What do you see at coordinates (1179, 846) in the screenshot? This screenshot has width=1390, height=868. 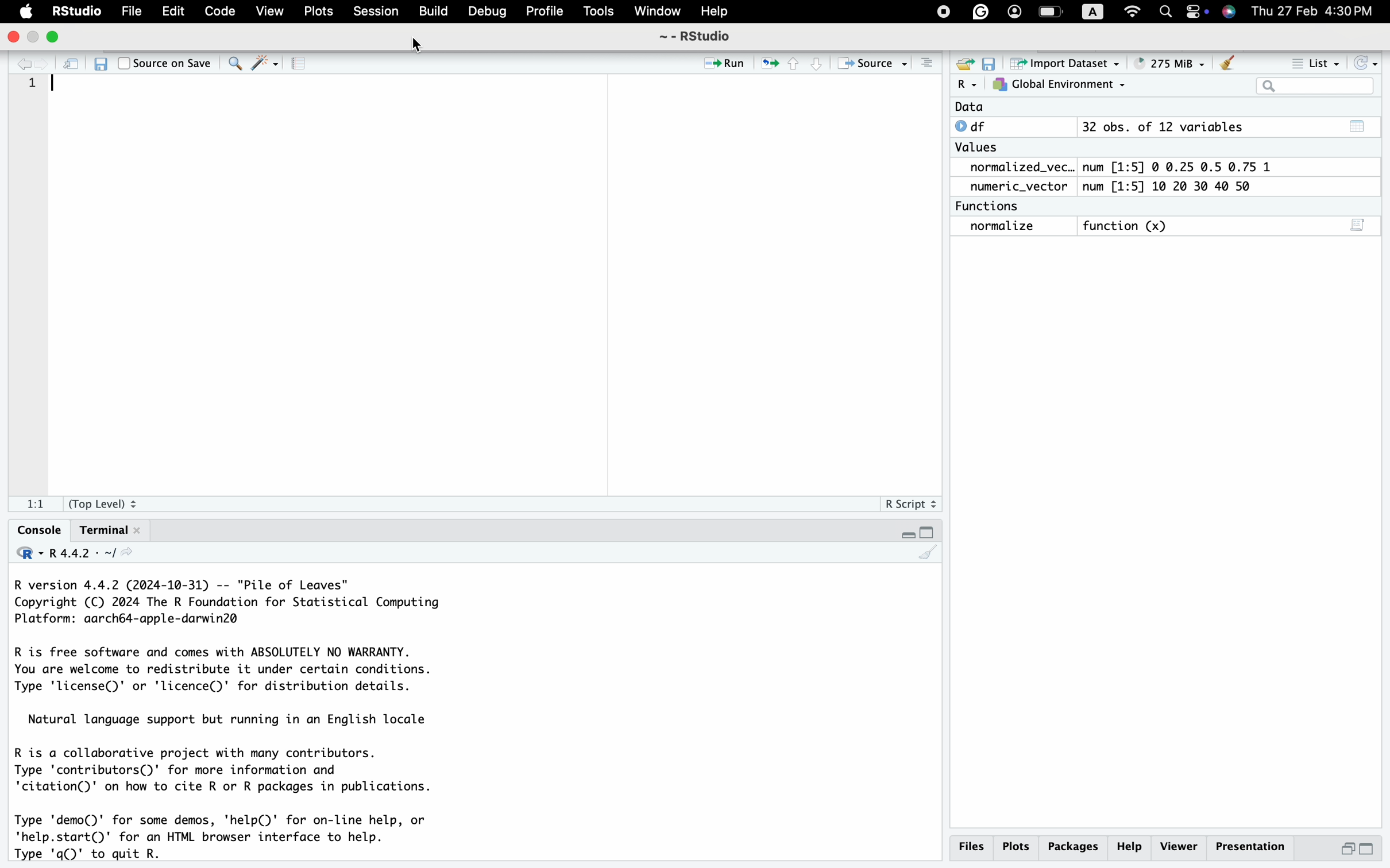 I see `viewer` at bounding box center [1179, 846].